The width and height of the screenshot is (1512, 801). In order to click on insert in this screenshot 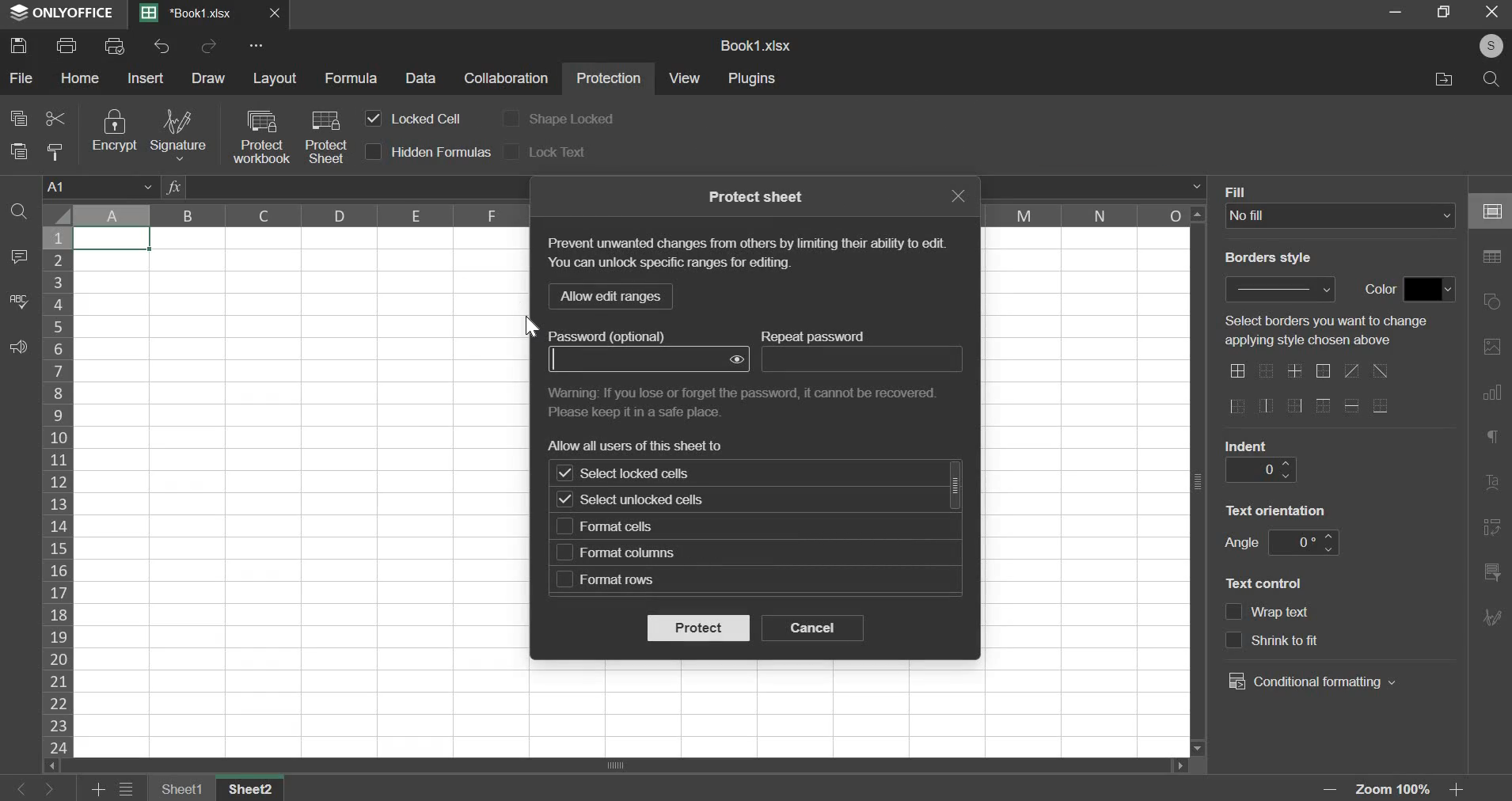, I will do `click(146, 78)`.